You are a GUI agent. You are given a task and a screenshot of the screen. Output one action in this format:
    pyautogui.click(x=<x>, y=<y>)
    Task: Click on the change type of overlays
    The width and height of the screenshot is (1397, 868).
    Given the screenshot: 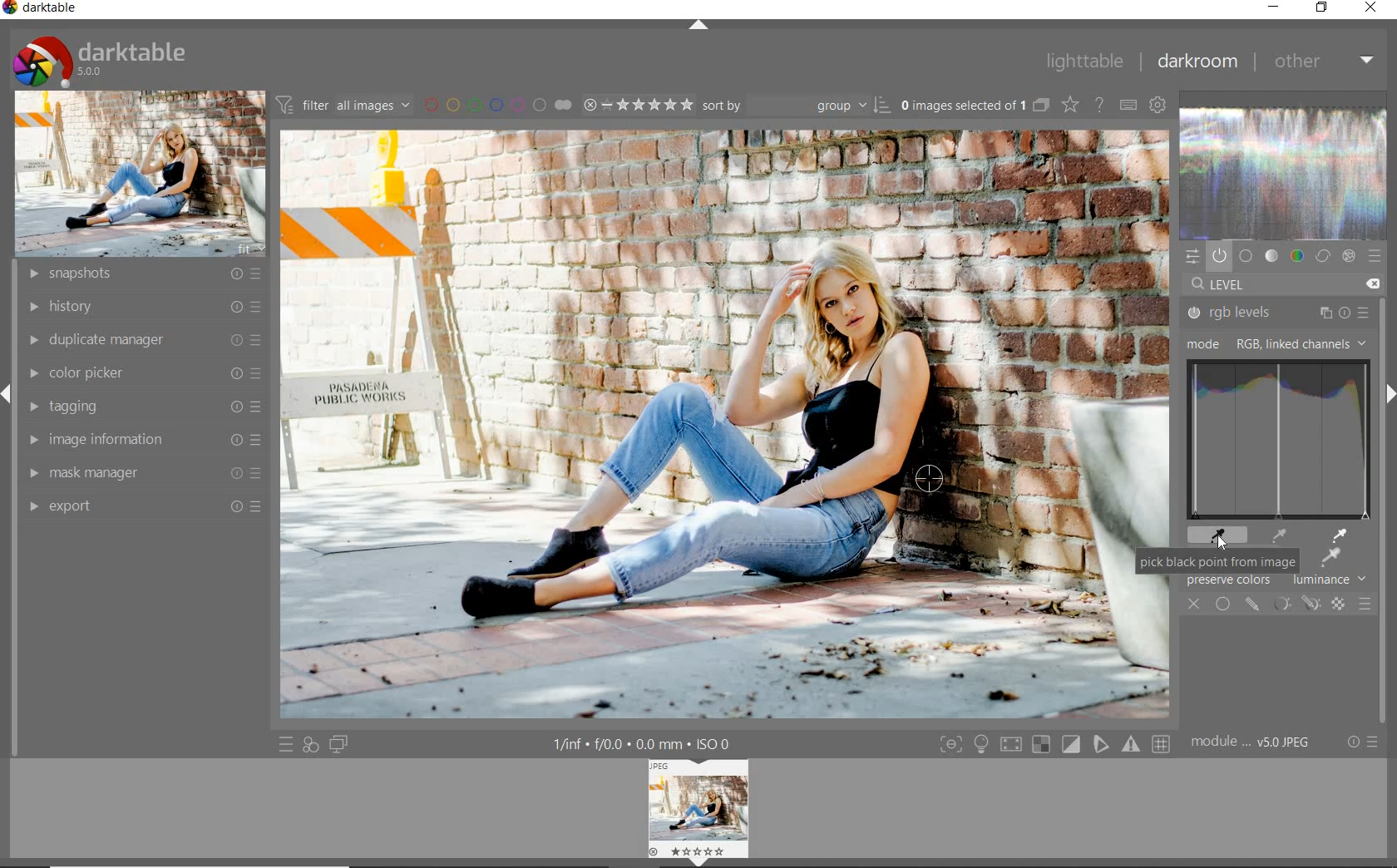 What is the action you would take?
    pyautogui.click(x=1069, y=106)
    